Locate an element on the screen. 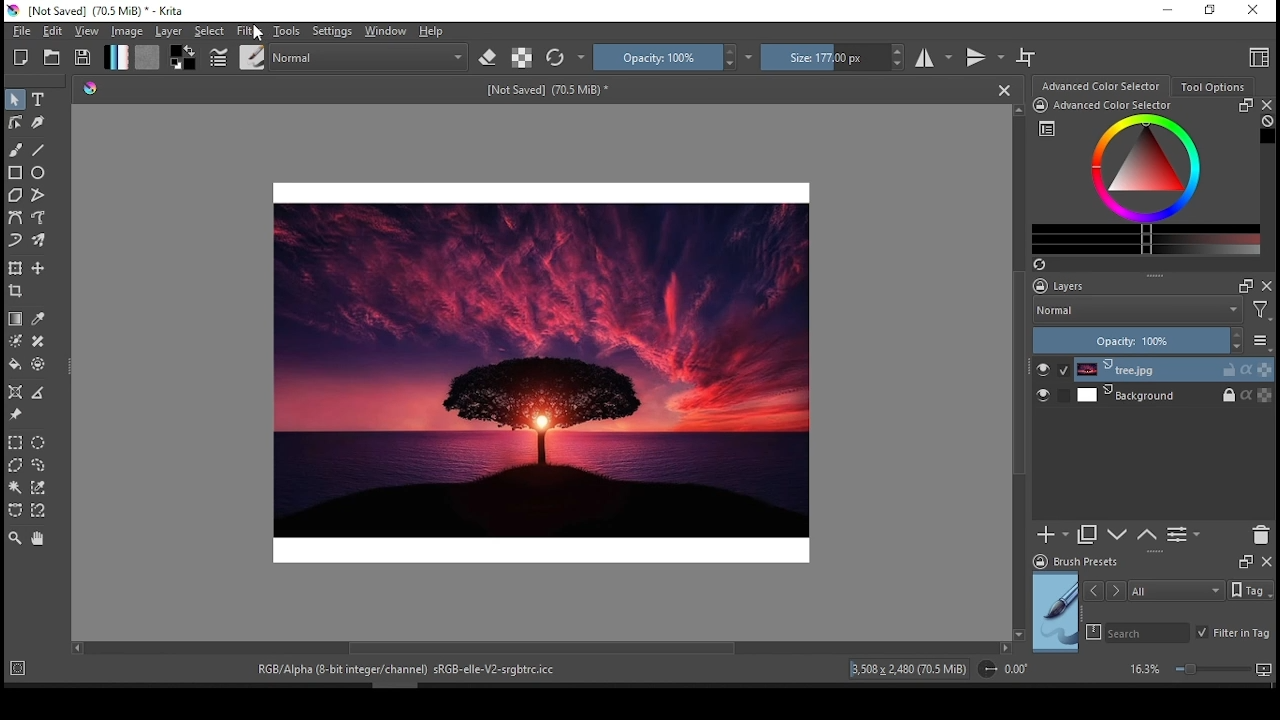 Image resolution: width=1280 pixels, height=720 pixels. opacity is located at coordinates (666, 58).